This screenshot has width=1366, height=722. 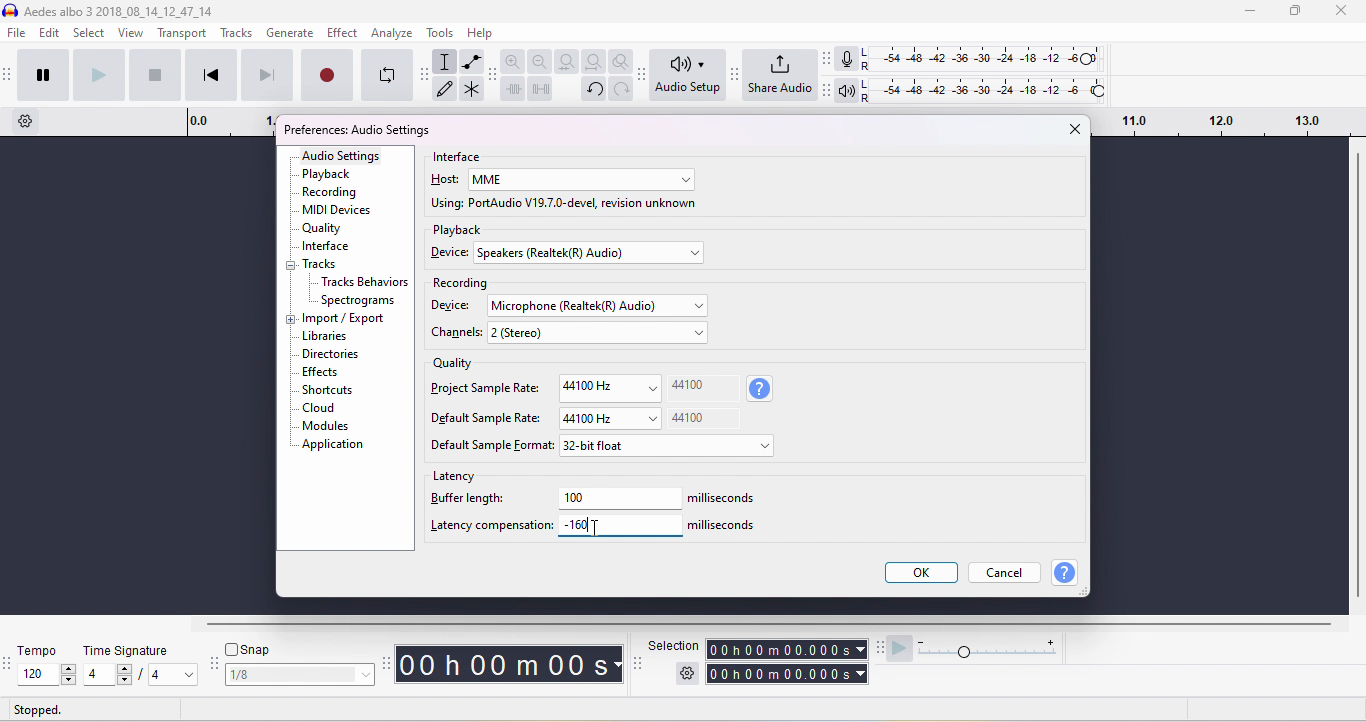 What do you see at coordinates (1247, 12) in the screenshot?
I see `minimize` at bounding box center [1247, 12].